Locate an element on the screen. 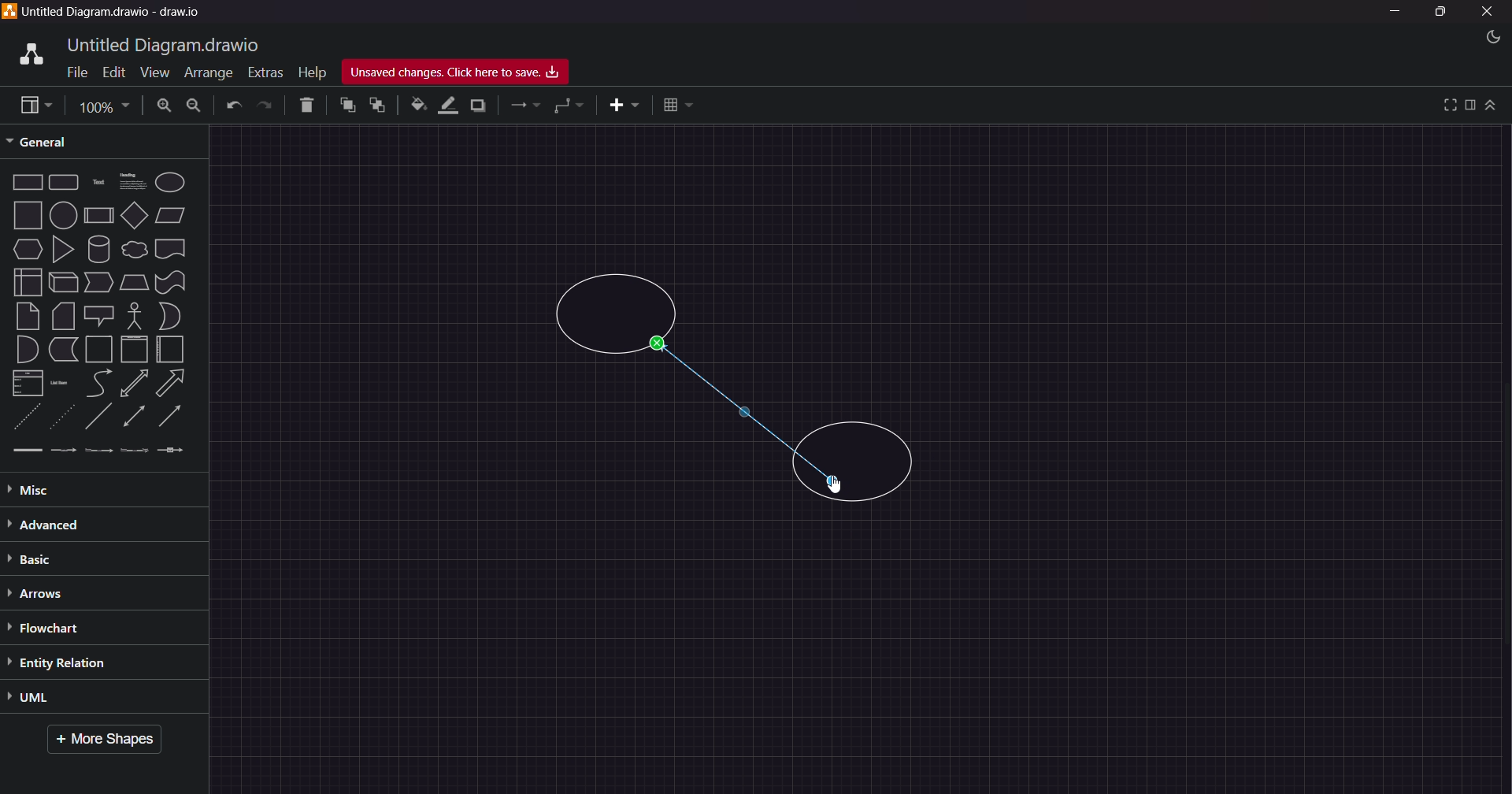 Image resolution: width=1512 pixels, height=794 pixels. cursor is located at coordinates (836, 487).